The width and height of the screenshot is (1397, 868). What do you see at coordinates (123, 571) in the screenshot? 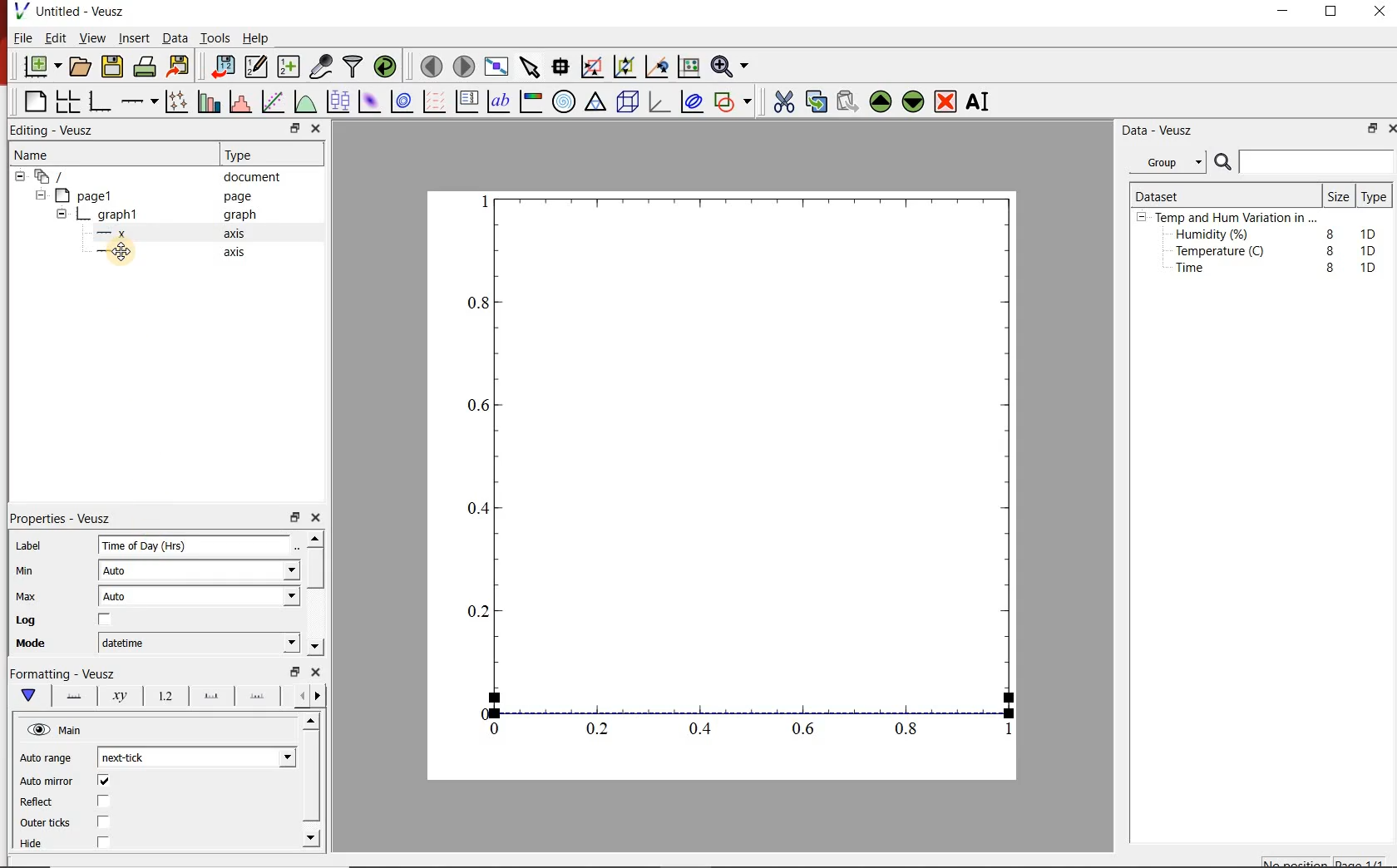
I see `Auto` at bounding box center [123, 571].